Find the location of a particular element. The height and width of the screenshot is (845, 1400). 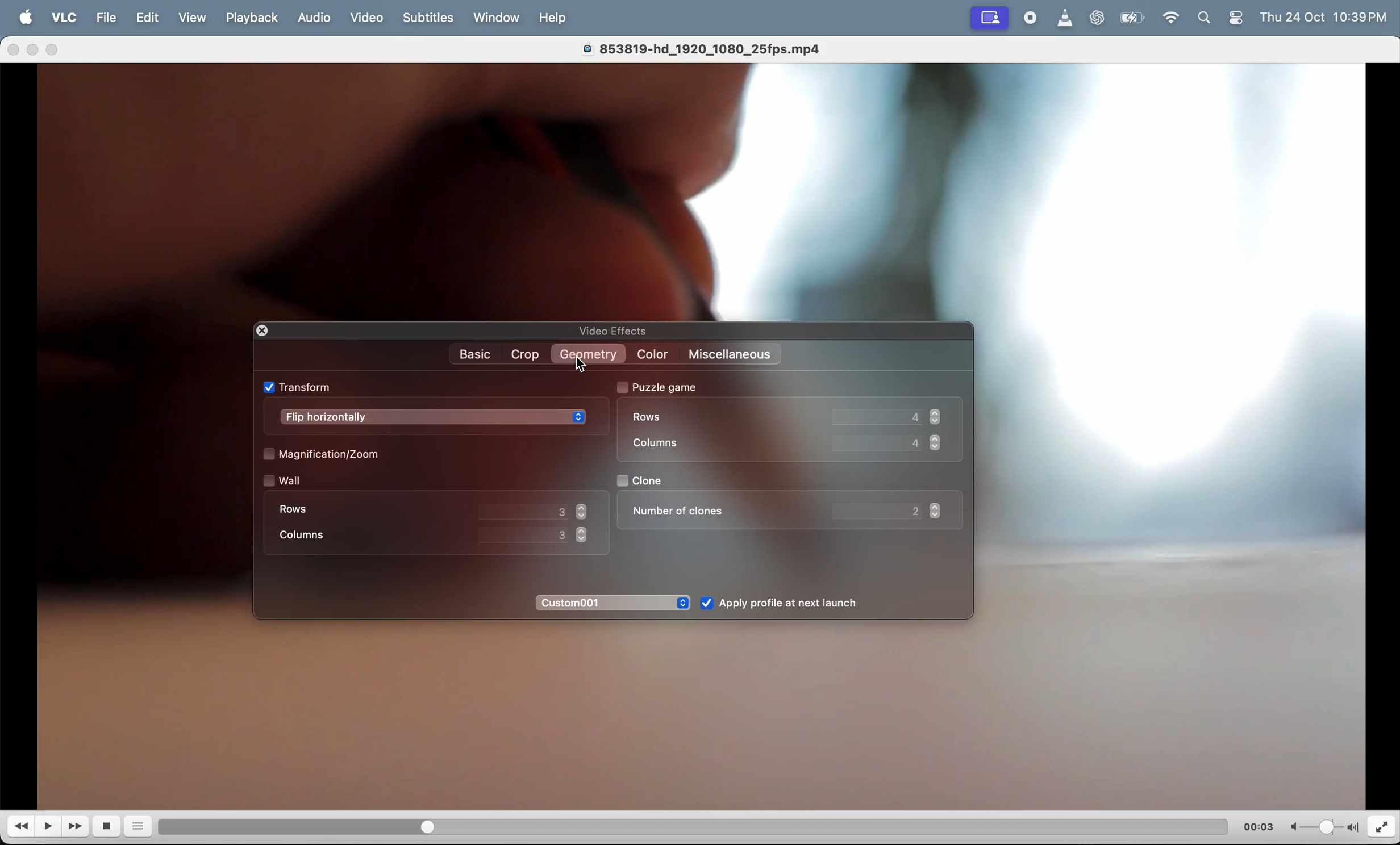

minimize is located at coordinates (35, 51).